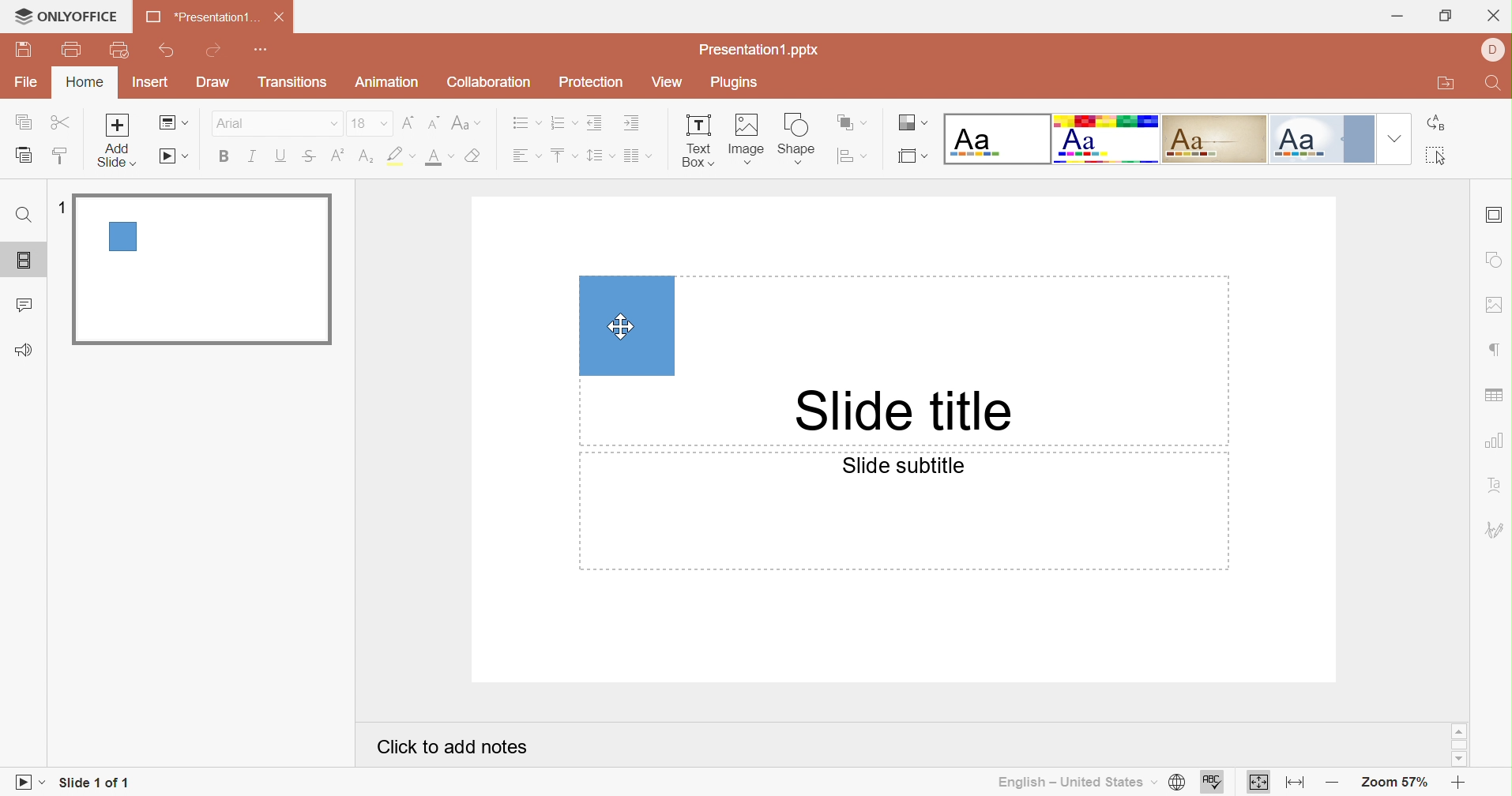 The width and height of the screenshot is (1512, 796). What do you see at coordinates (82, 82) in the screenshot?
I see `Home` at bounding box center [82, 82].